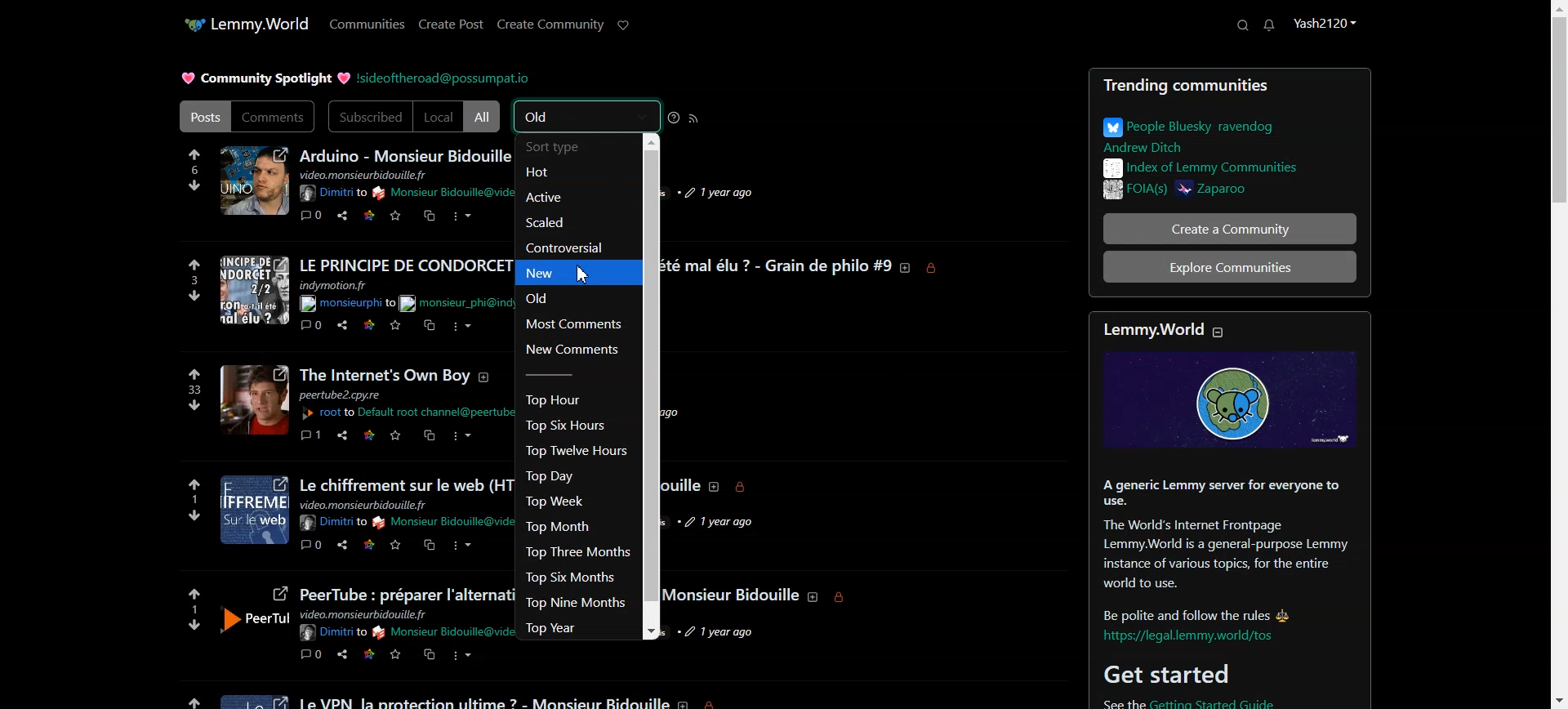 Image resolution: width=1568 pixels, height=709 pixels. I want to click on About, so click(406, 154).